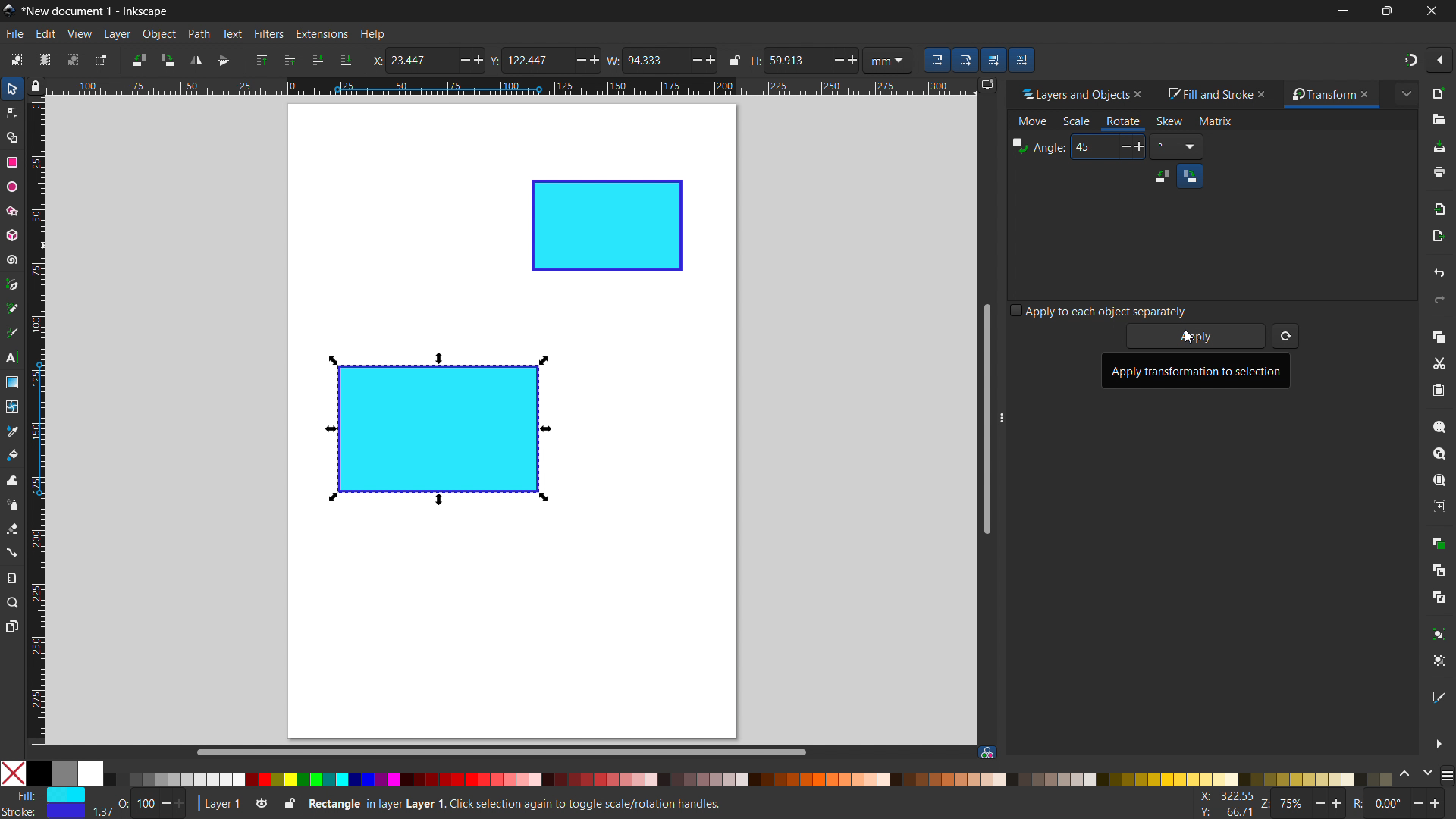 The image size is (1456, 819). What do you see at coordinates (1076, 122) in the screenshot?
I see `scale` at bounding box center [1076, 122].